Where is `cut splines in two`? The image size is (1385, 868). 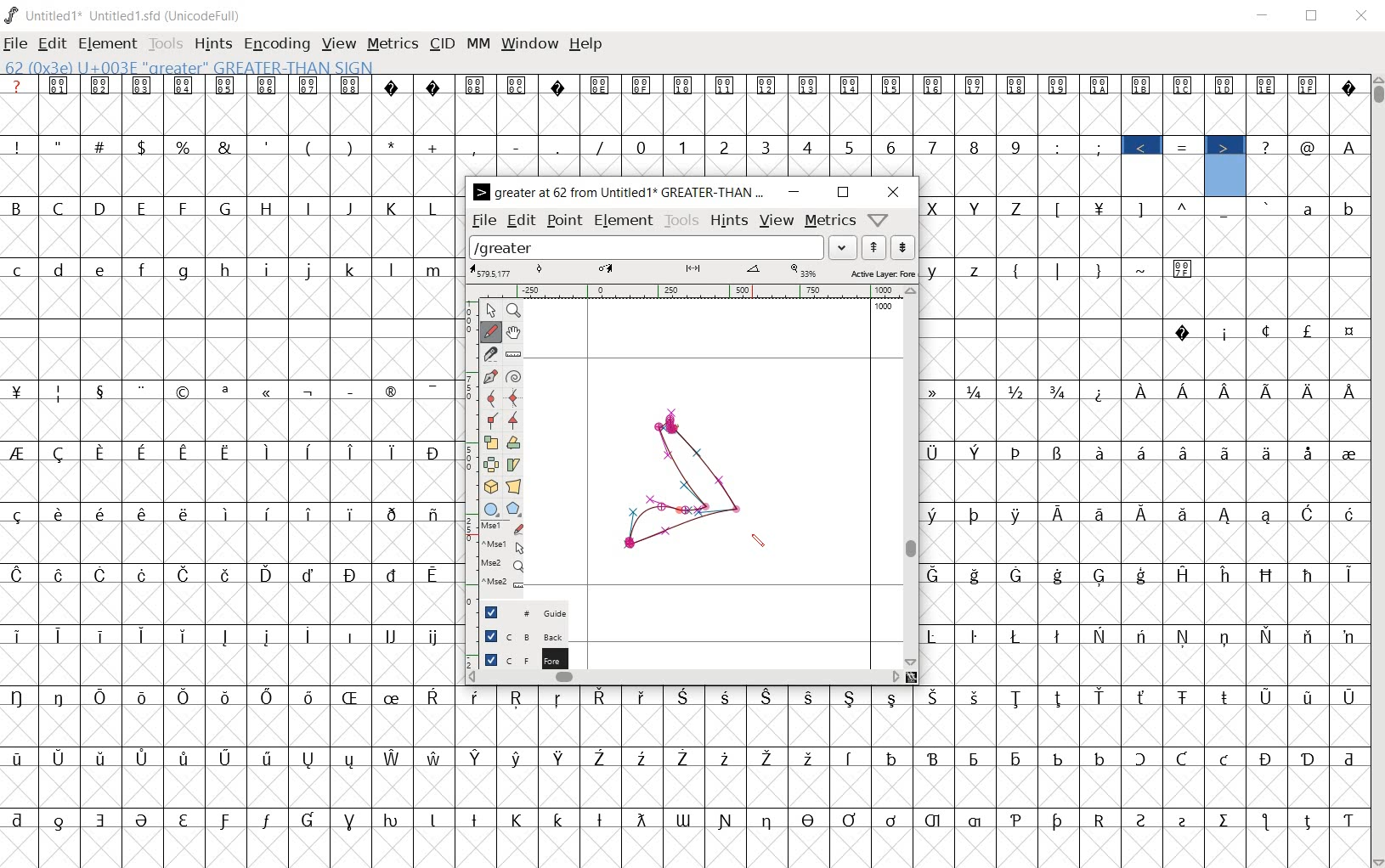
cut splines in two is located at coordinates (489, 353).